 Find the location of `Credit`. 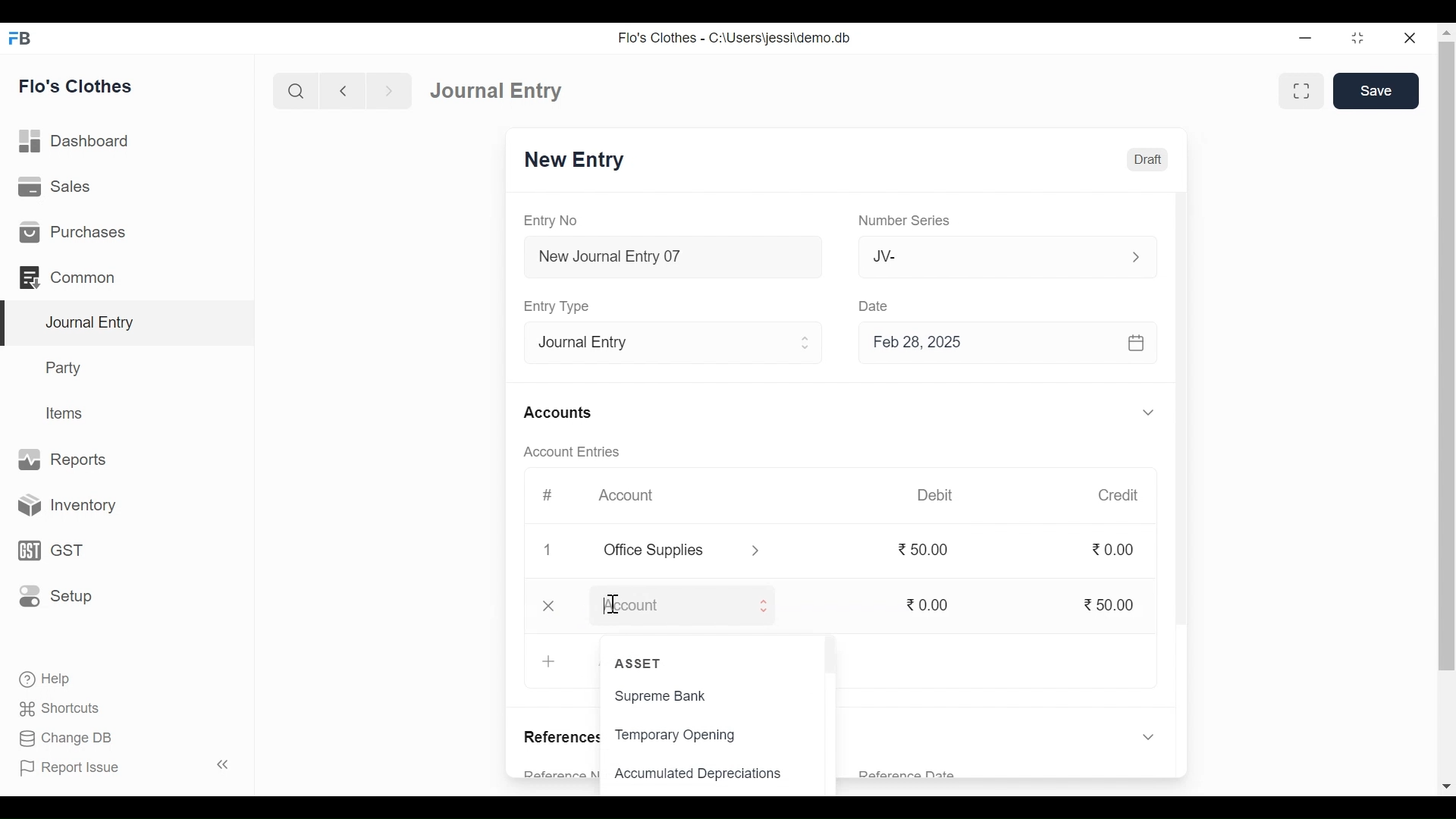

Credit is located at coordinates (1125, 496).